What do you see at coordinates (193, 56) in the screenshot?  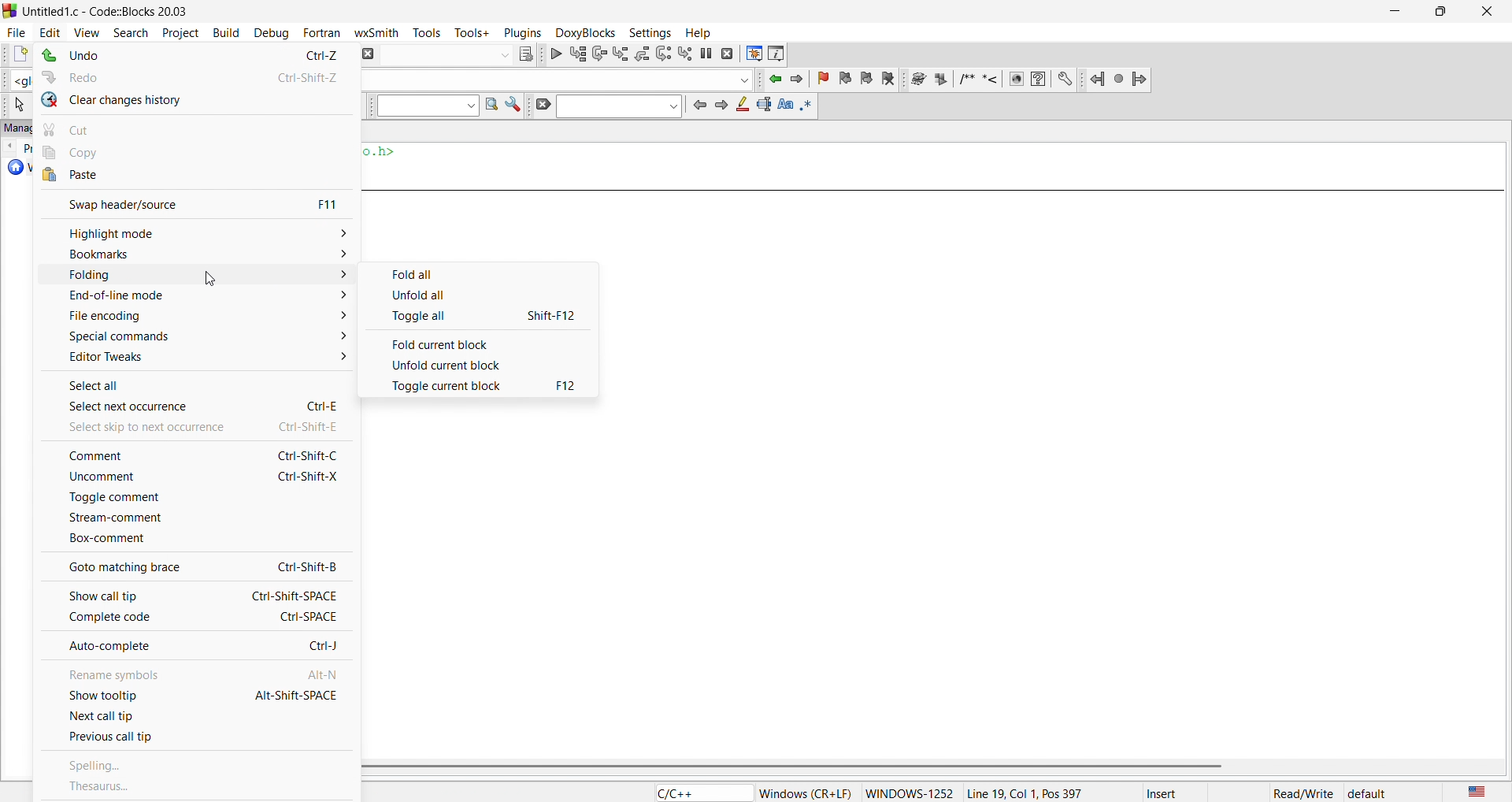 I see `undo` at bounding box center [193, 56].